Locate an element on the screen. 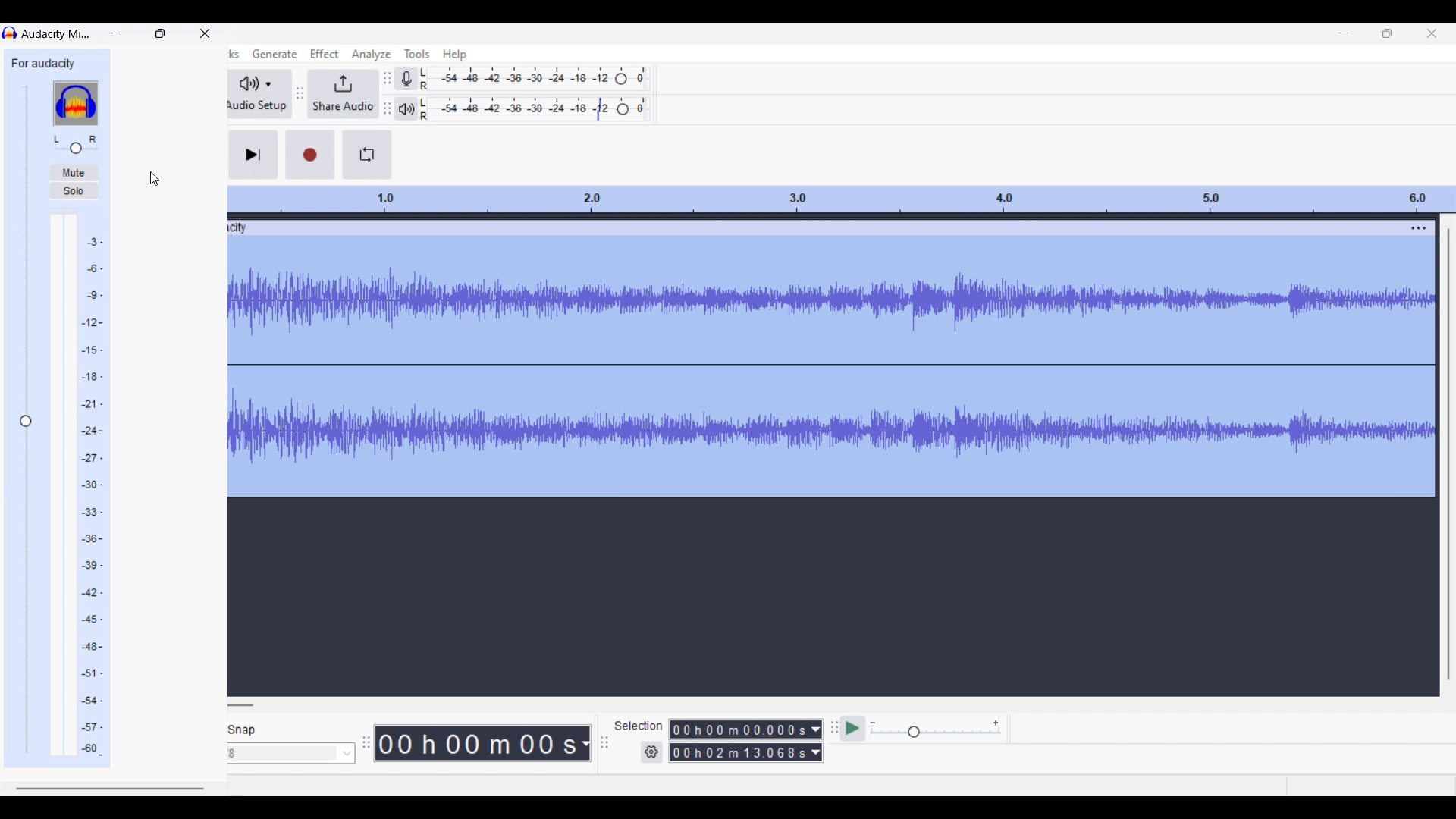 The width and height of the screenshot is (1456, 819). Tracks menu is located at coordinates (233, 55).